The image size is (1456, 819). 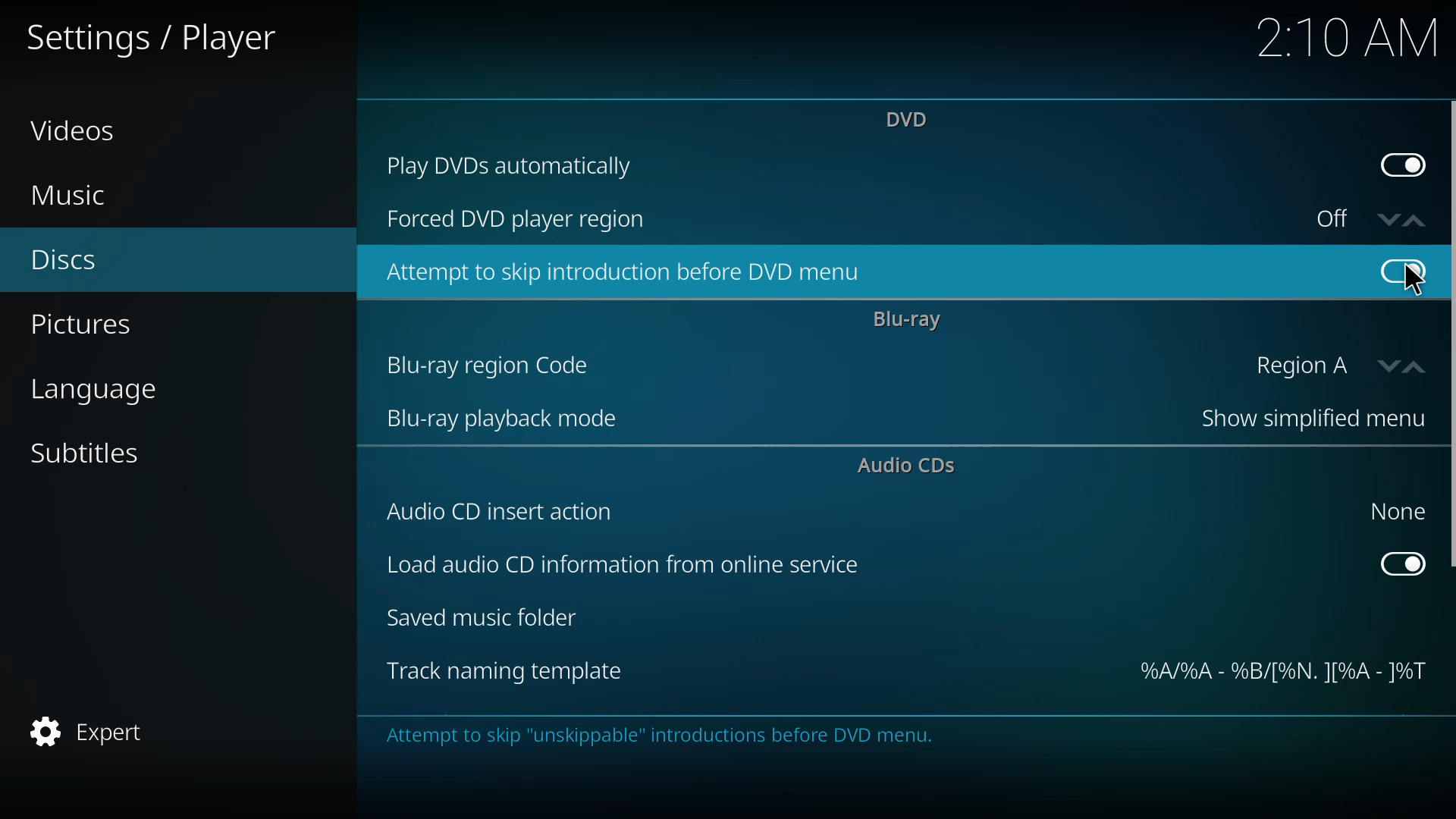 What do you see at coordinates (71, 256) in the screenshot?
I see `discs` at bounding box center [71, 256].